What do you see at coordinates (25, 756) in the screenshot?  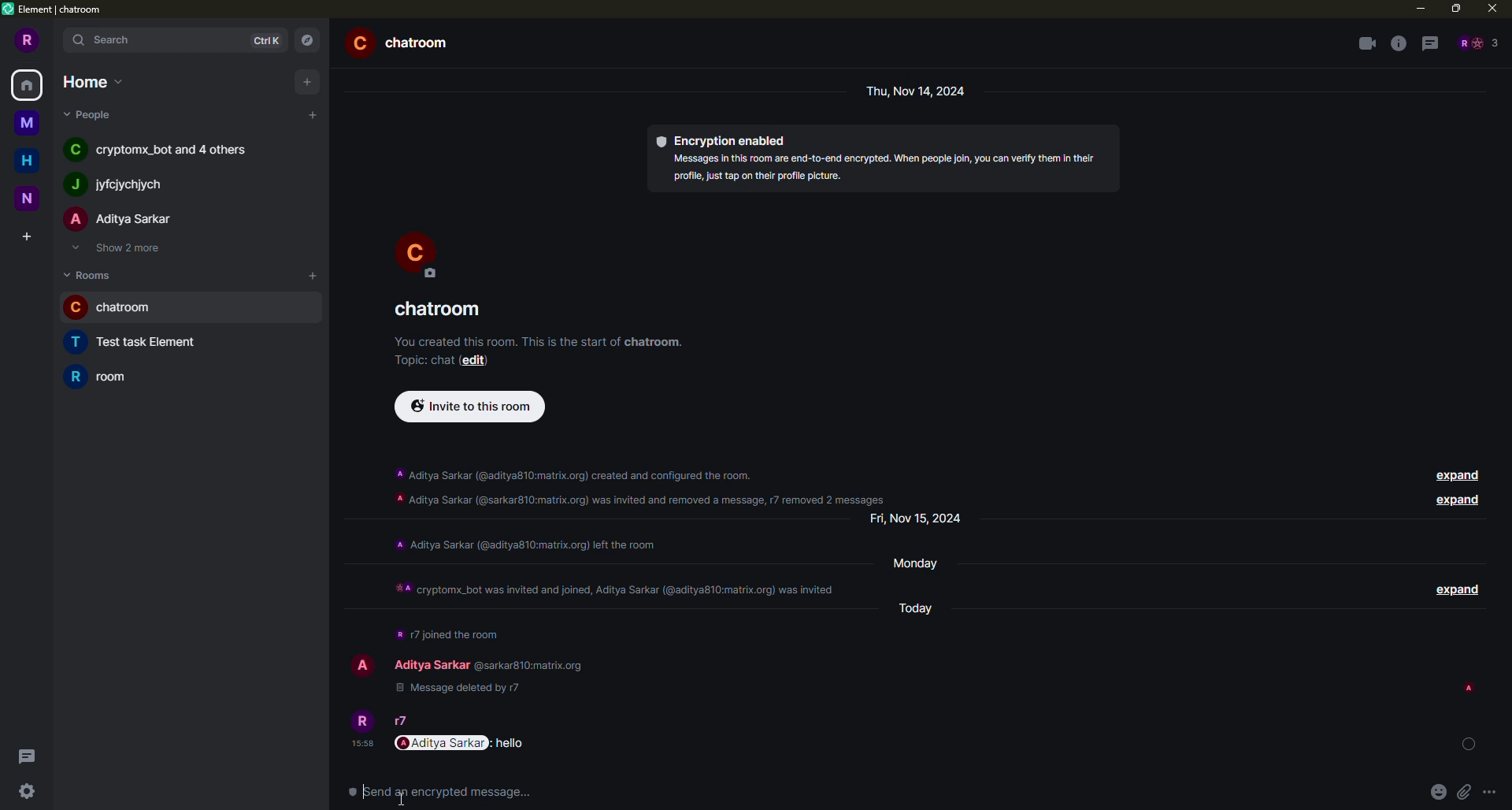 I see `threads` at bounding box center [25, 756].